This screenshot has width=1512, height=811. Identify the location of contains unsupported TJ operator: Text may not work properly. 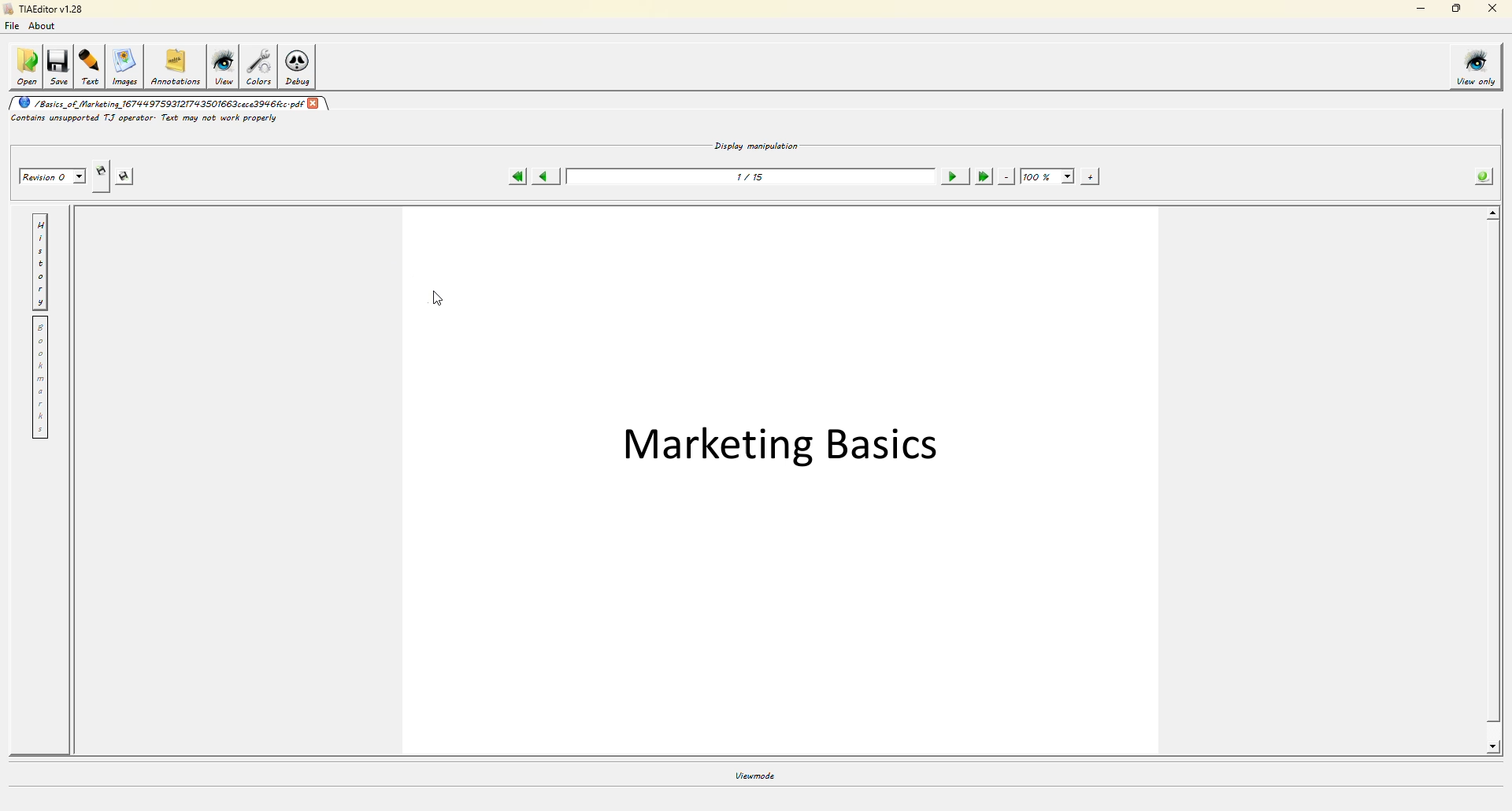
(154, 120).